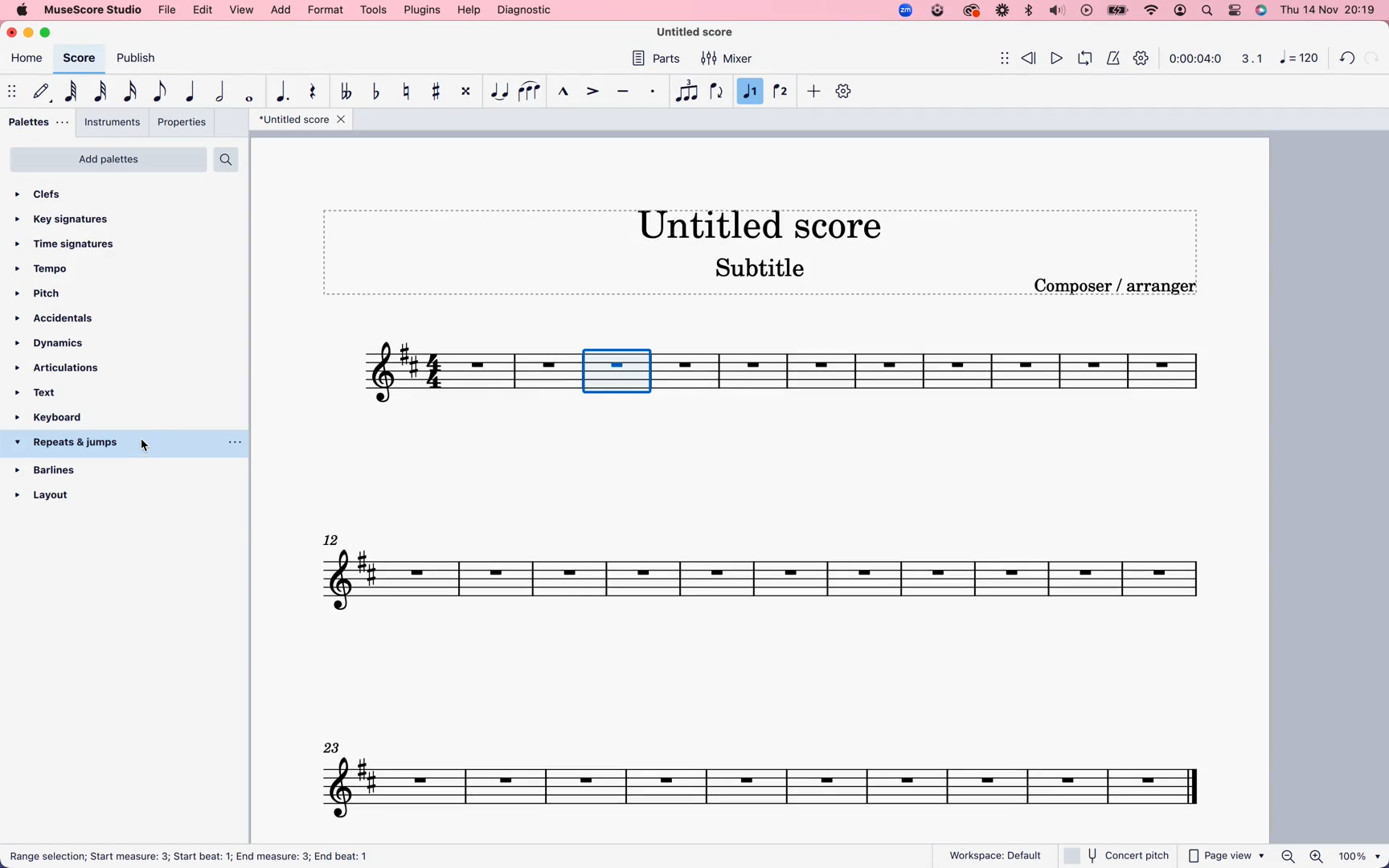 The image size is (1389, 868). What do you see at coordinates (531, 92) in the screenshot?
I see `slur` at bounding box center [531, 92].